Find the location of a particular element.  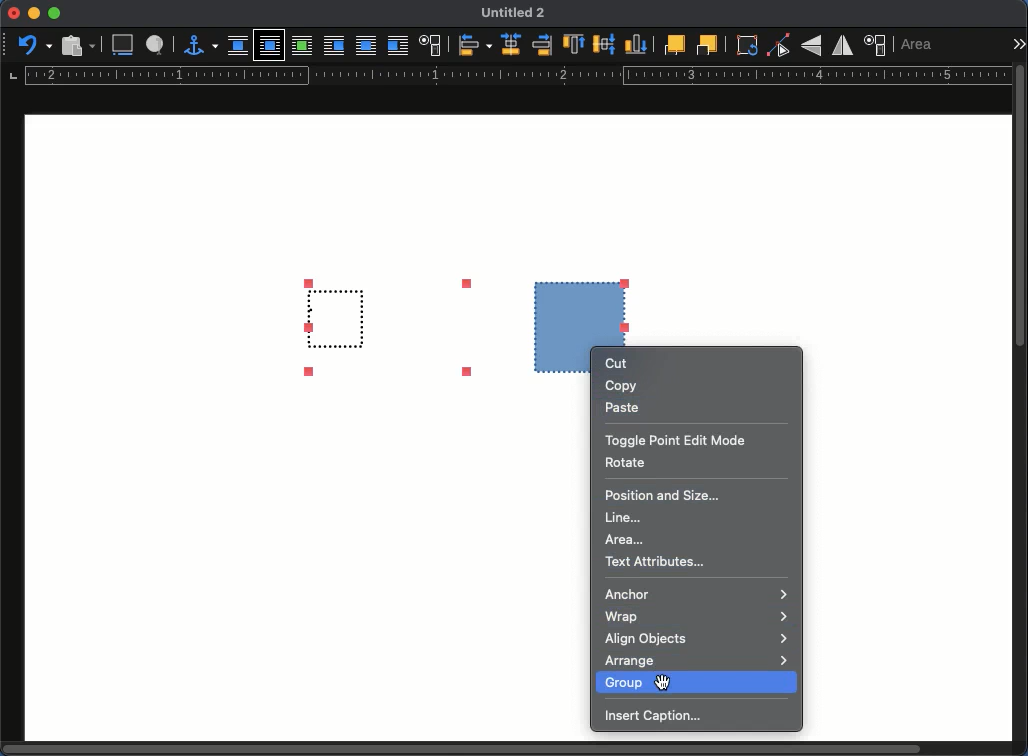

maximize is located at coordinates (55, 13).